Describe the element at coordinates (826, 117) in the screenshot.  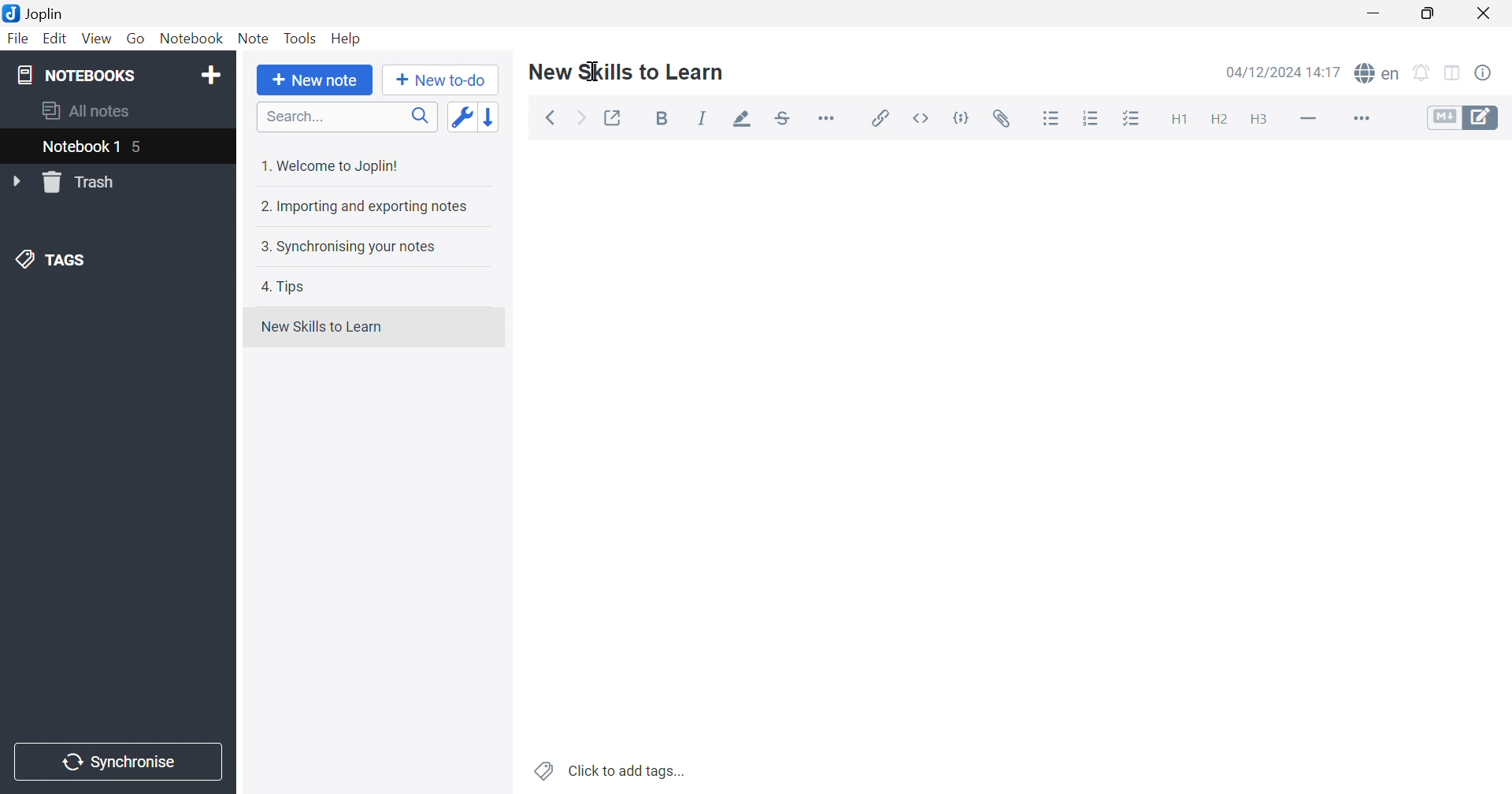
I see `More...` at that location.